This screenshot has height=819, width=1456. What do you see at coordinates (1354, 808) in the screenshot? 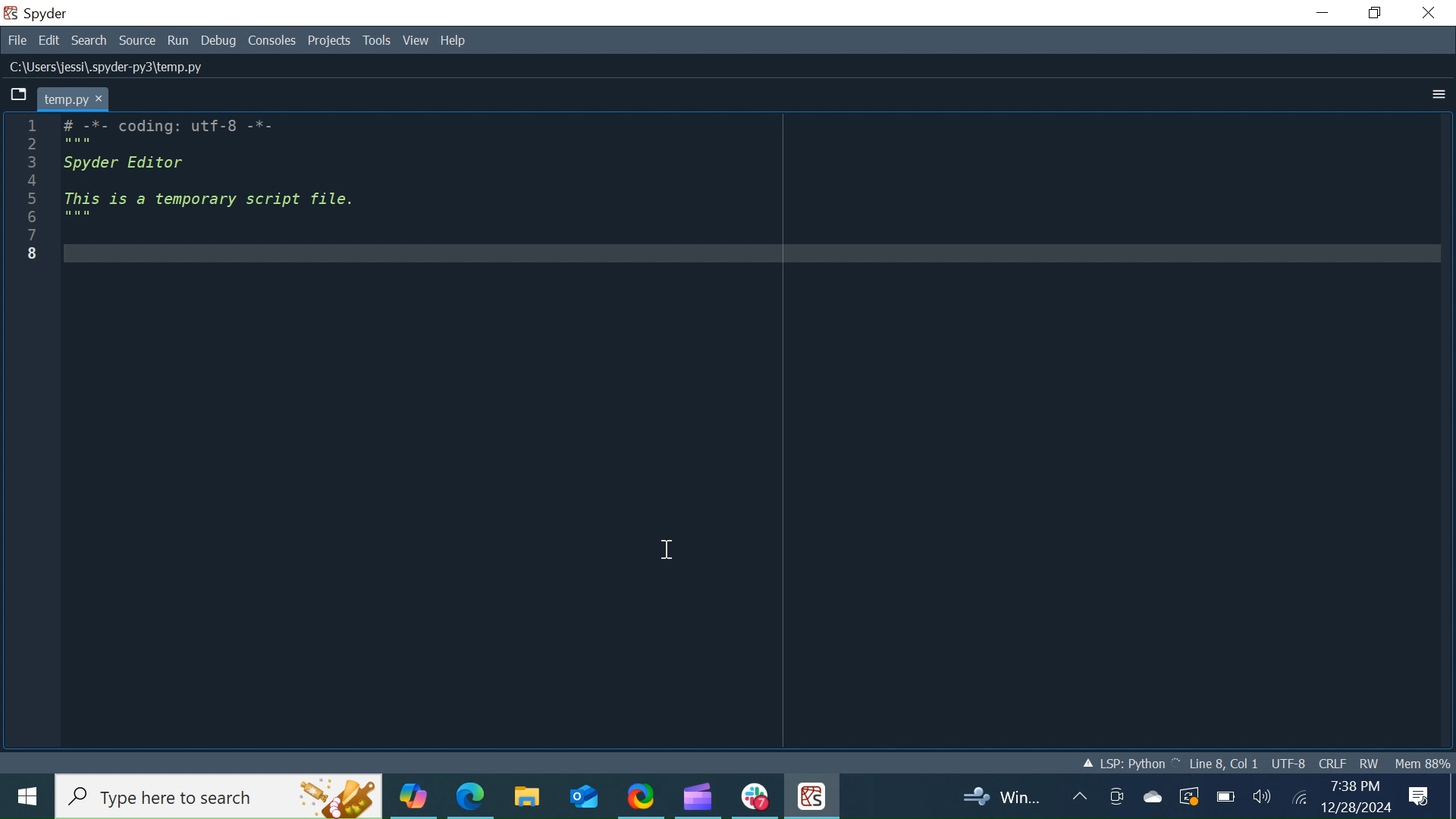
I see `Date` at bounding box center [1354, 808].